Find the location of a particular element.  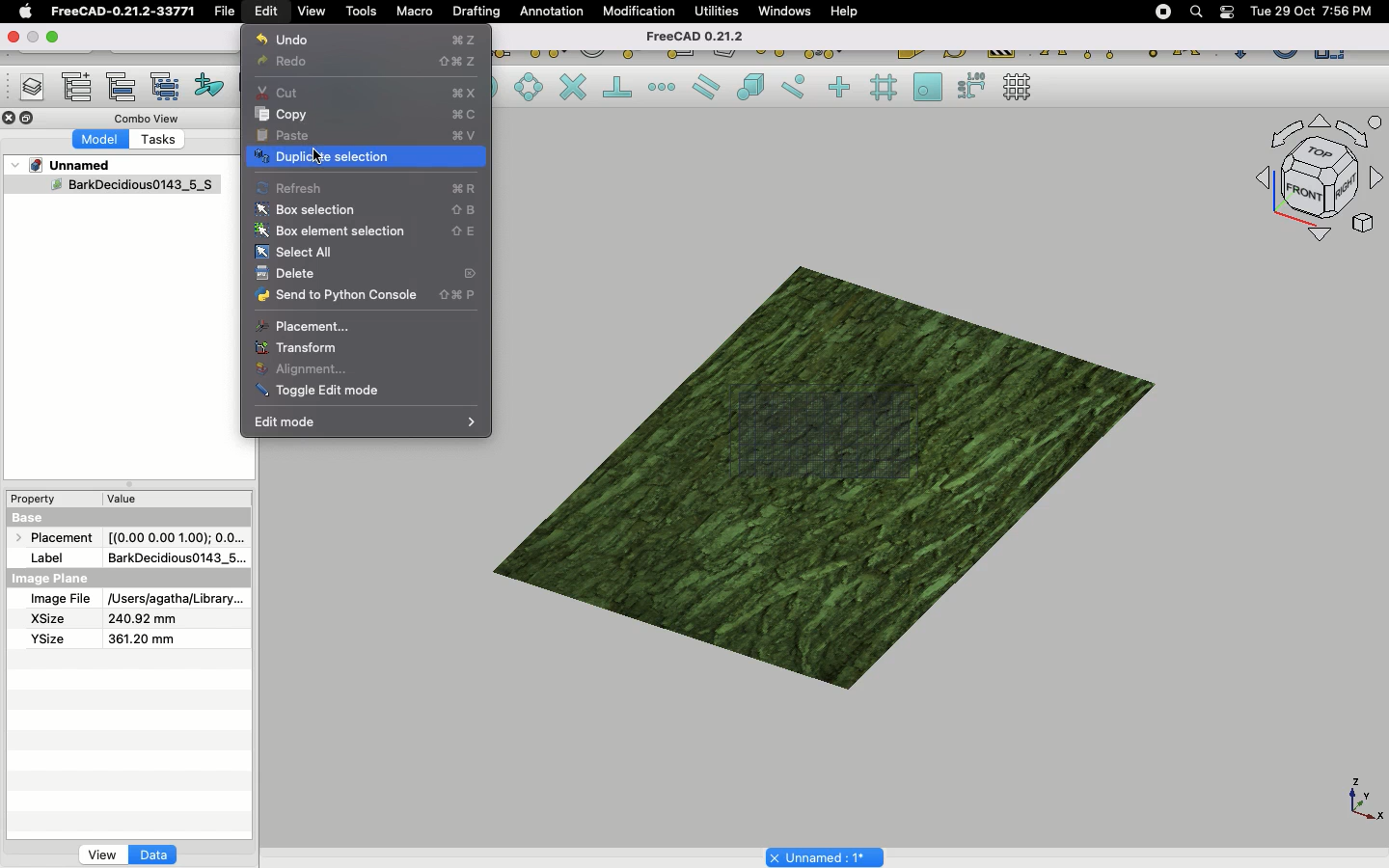

Add to construction group is located at coordinates (210, 84).